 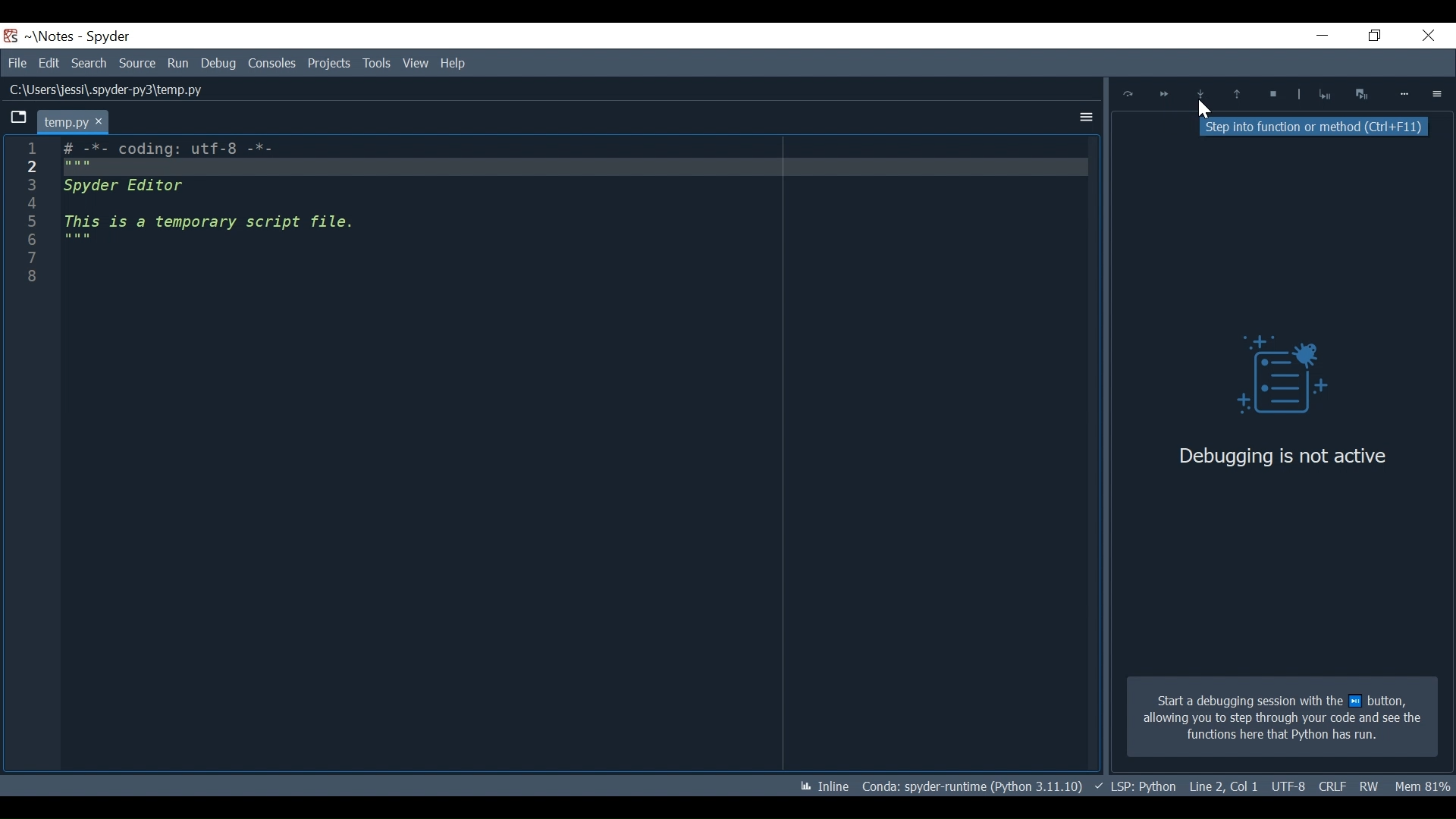 I want to click on Debug, so click(x=1270, y=378).